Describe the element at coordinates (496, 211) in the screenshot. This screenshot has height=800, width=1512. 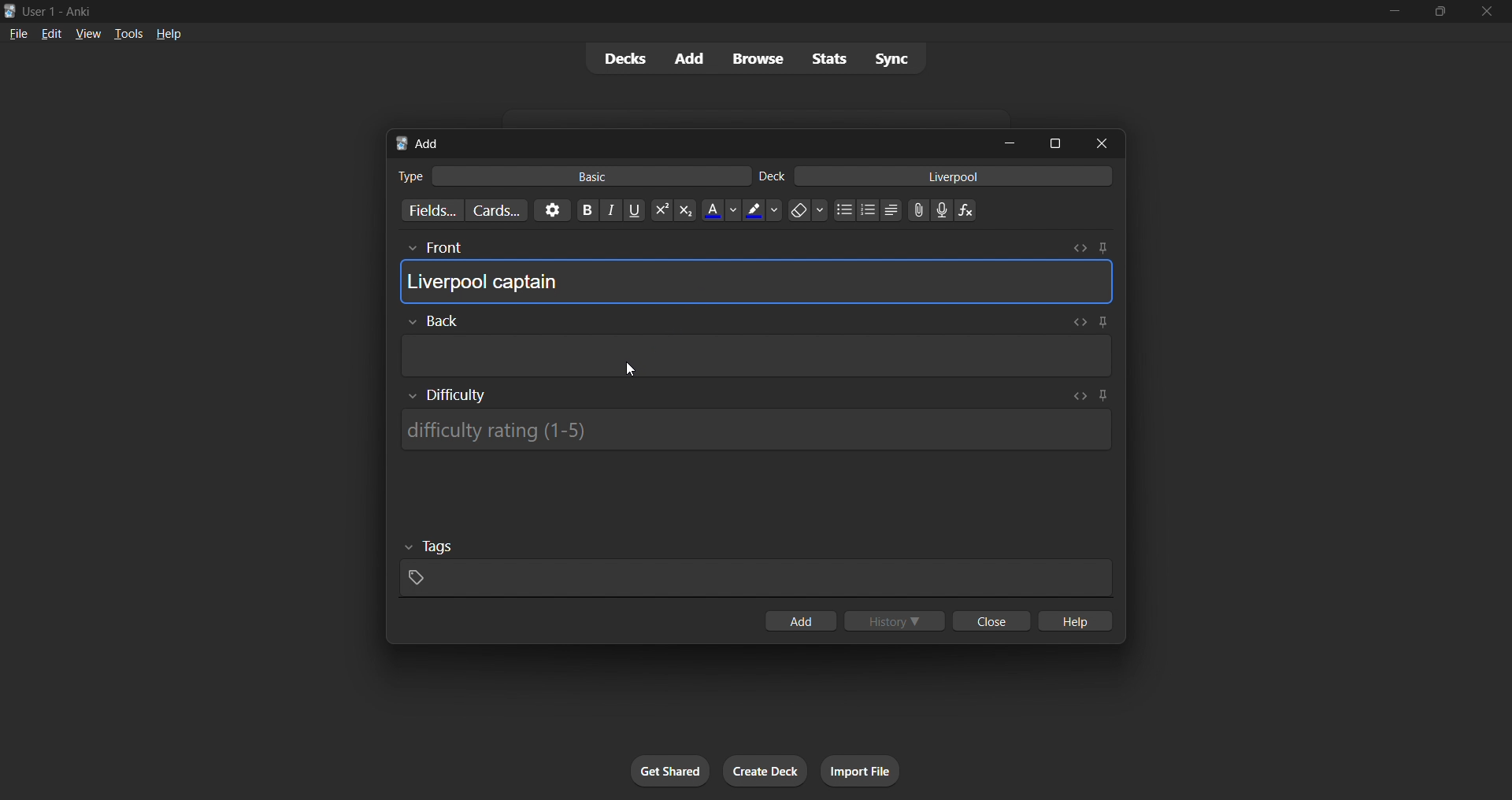
I see `customize card templates` at that location.